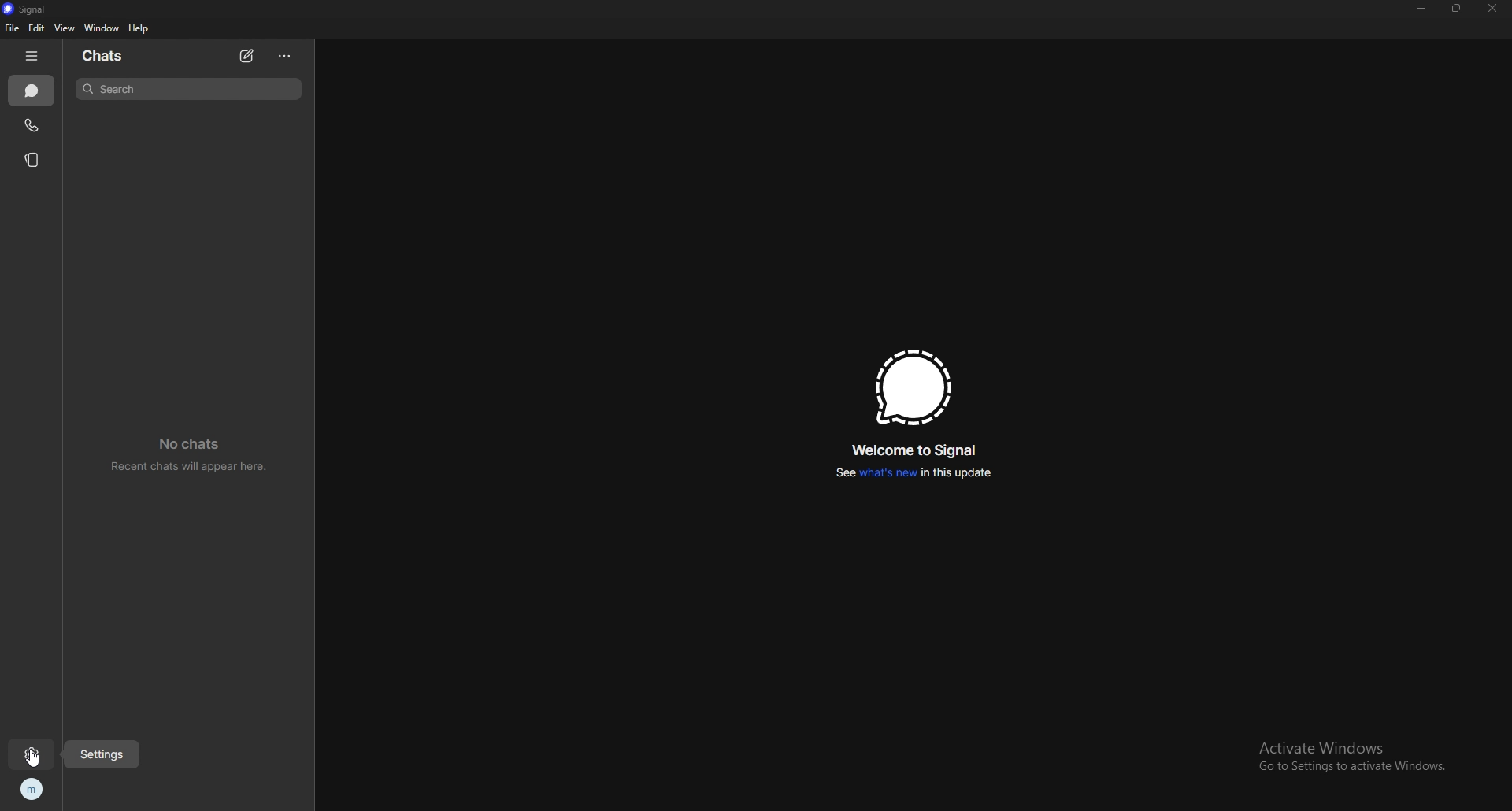  Describe the element at coordinates (31, 791) in the screenshot. I see `profile` at that location.